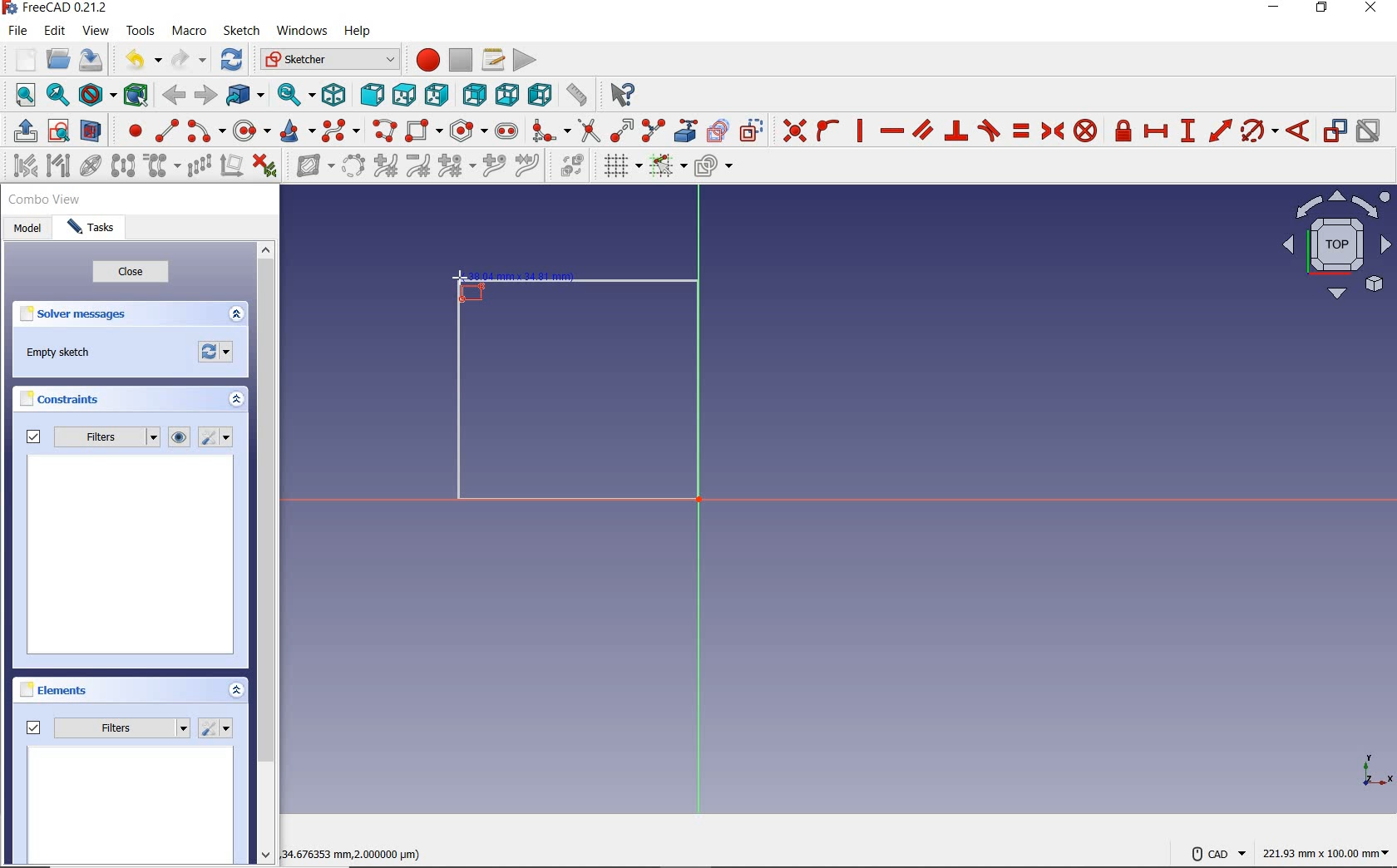  Describe the element at coordinates (405, 96) in the screenshot. I see `top` at that location.